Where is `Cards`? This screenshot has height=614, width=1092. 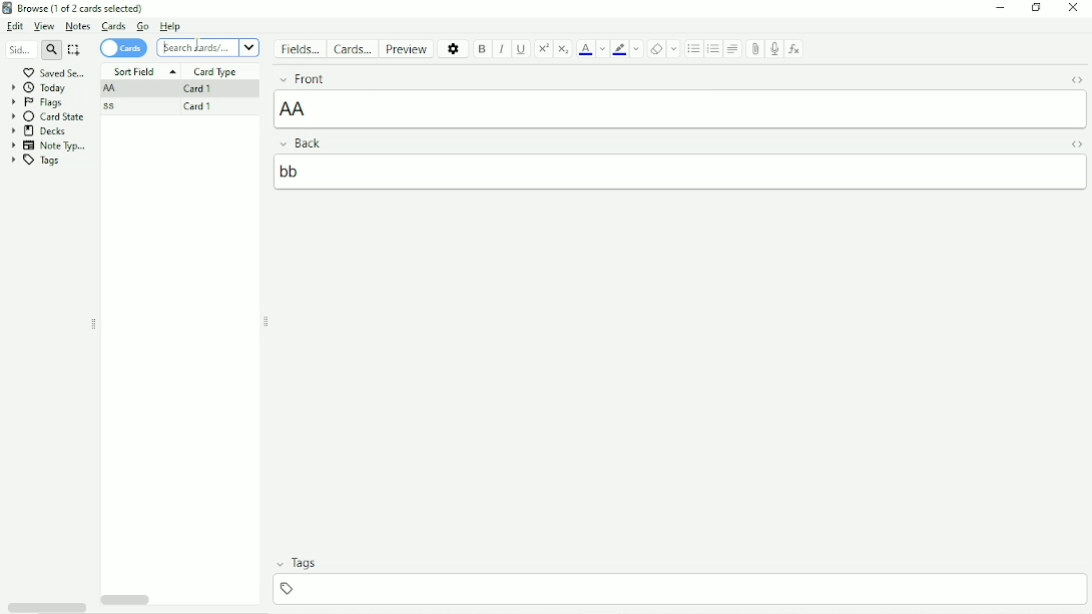 Cards is located at coordinates (356, 48).